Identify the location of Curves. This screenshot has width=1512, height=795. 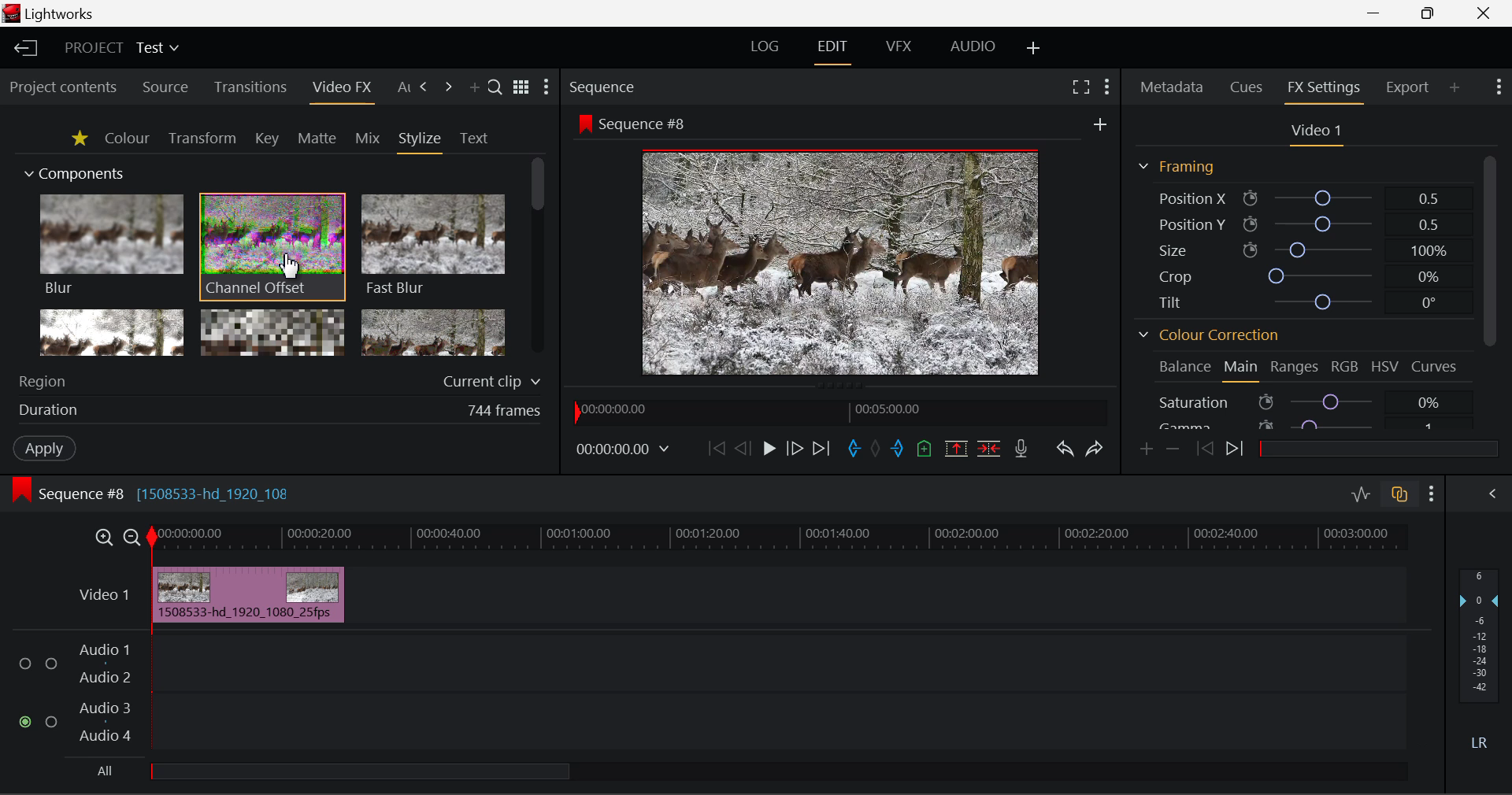
(1436, 366).